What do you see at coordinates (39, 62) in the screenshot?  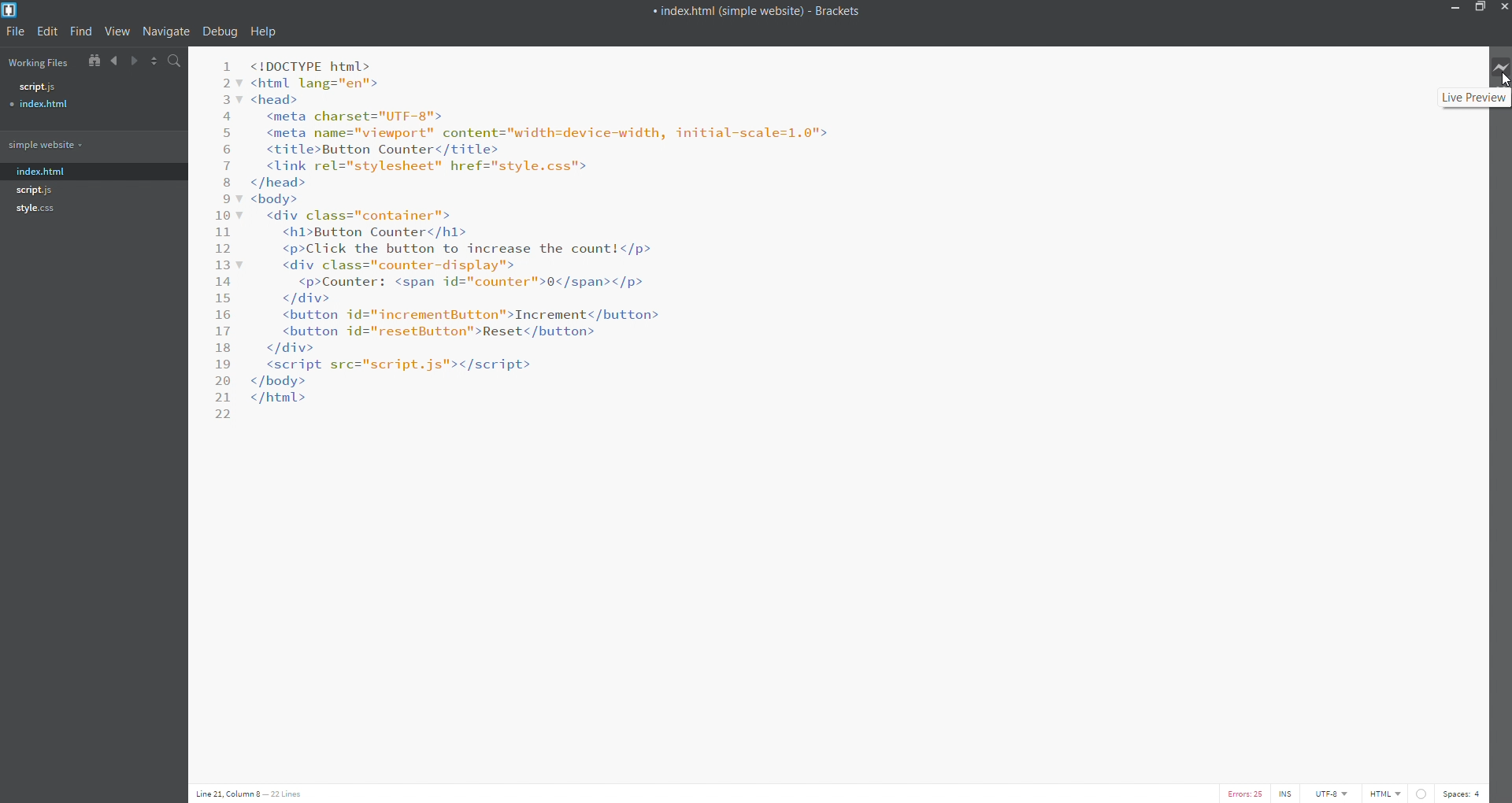 I see `working files` at bounding box center [39, 62].